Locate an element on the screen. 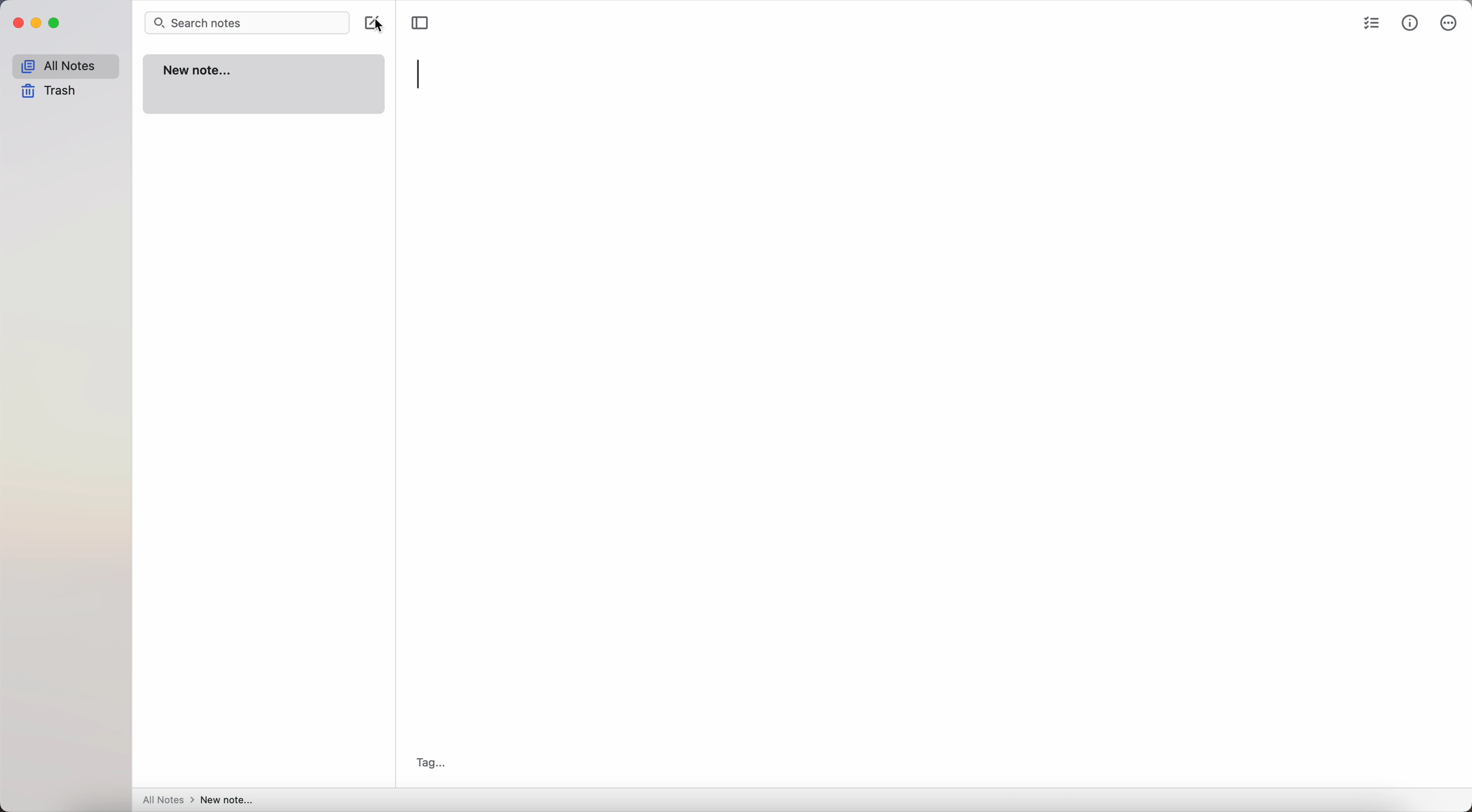 Image resolution: width=1472 pixels, height=812 pixels. typing cursor is located at coordinates (419, 75).